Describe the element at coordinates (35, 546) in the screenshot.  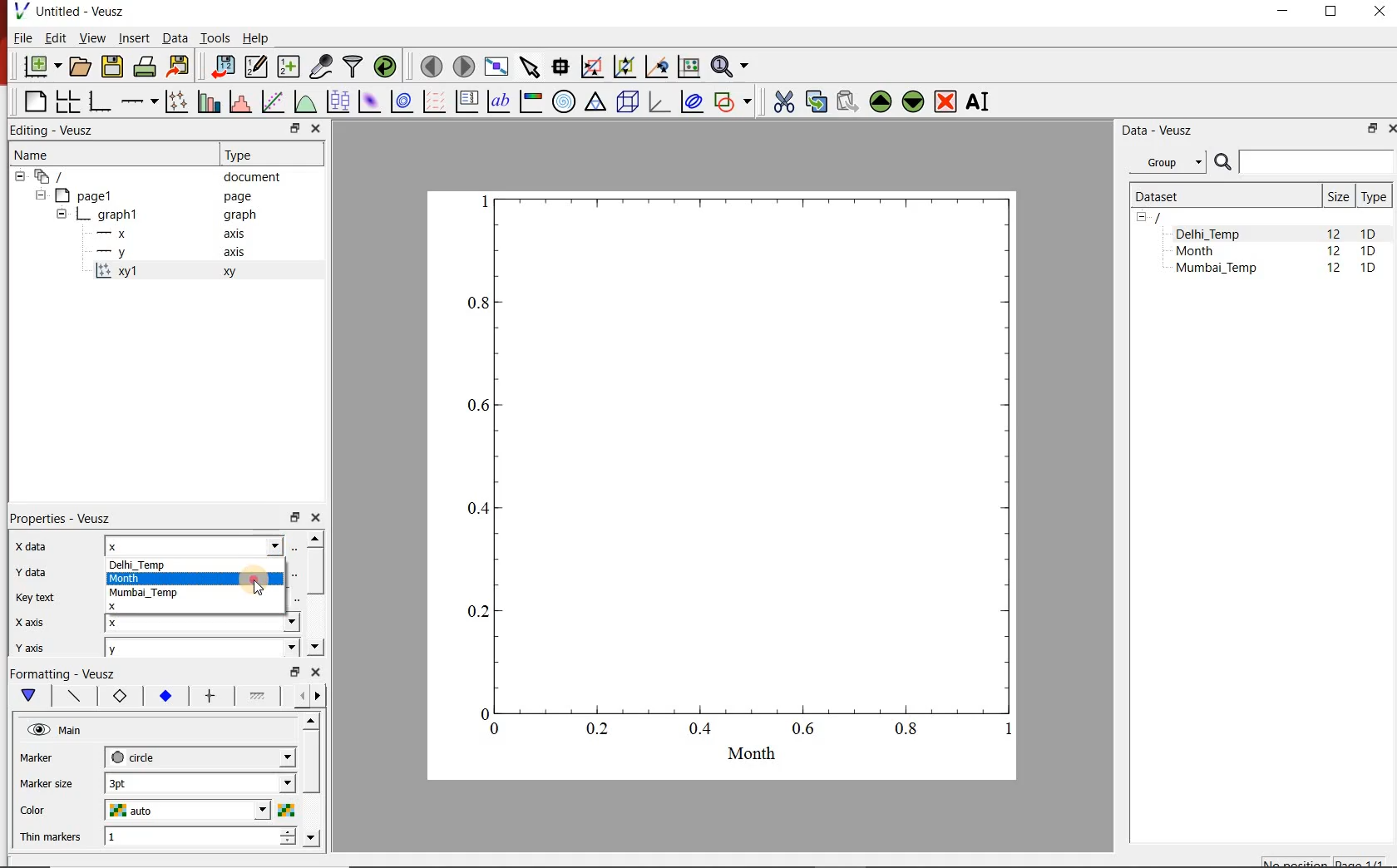
I see `x-data` at that location.